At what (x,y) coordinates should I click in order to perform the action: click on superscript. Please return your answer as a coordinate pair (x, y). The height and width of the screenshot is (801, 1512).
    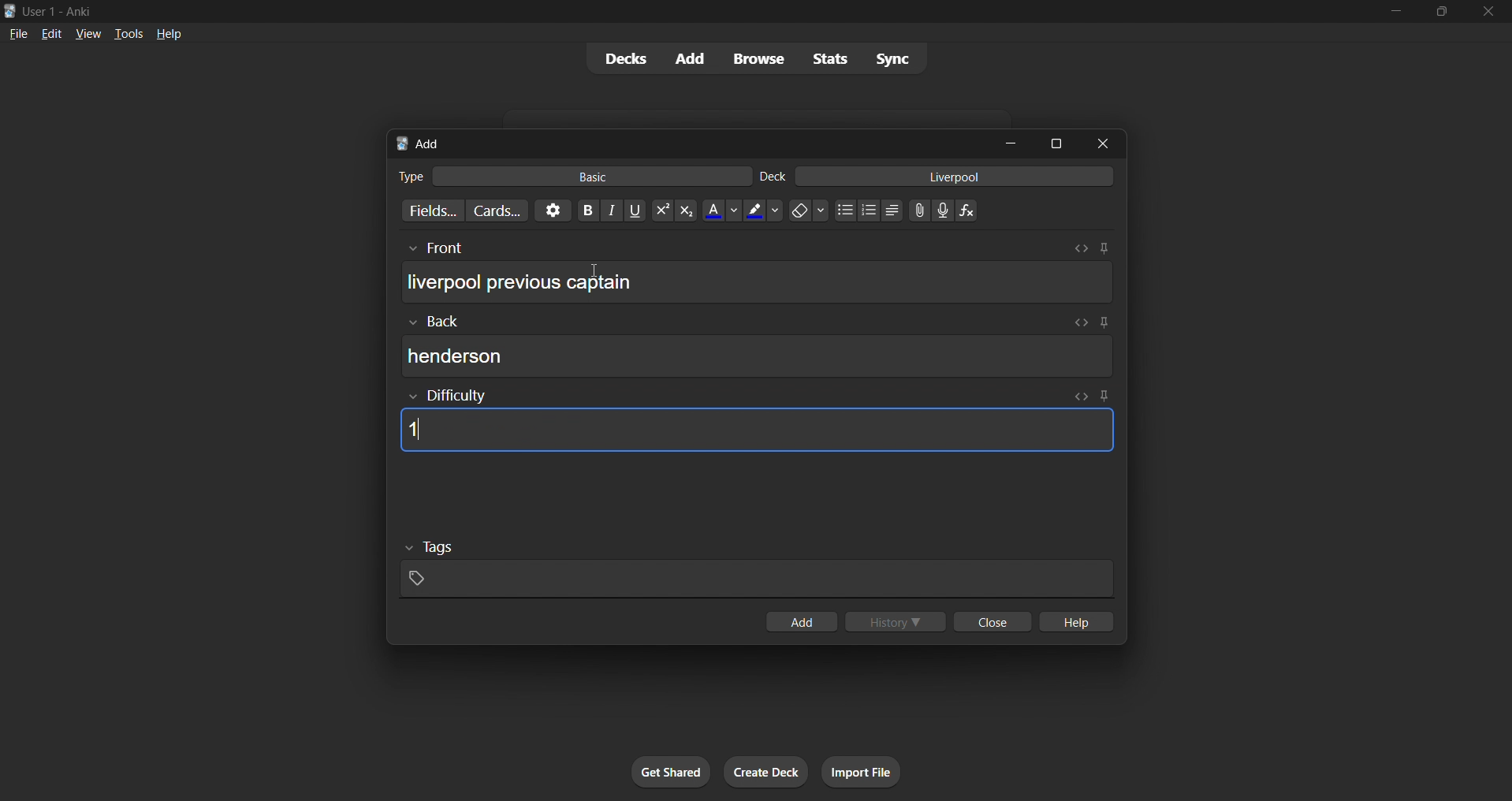
    Looking at the image, I should click on (661, 211).